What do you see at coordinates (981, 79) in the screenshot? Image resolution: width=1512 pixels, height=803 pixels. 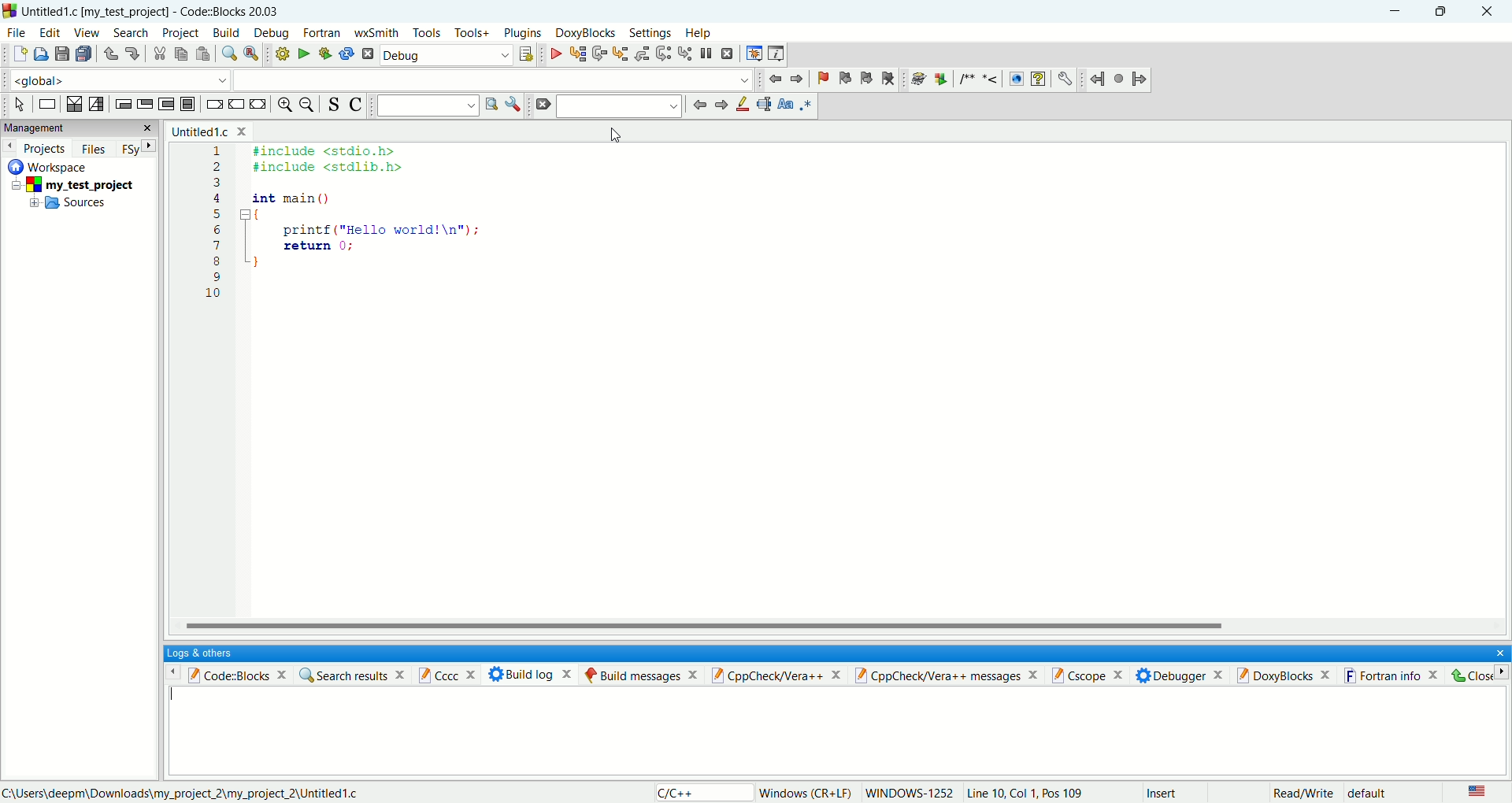 I see `comment` at bounding box center [981, 79].